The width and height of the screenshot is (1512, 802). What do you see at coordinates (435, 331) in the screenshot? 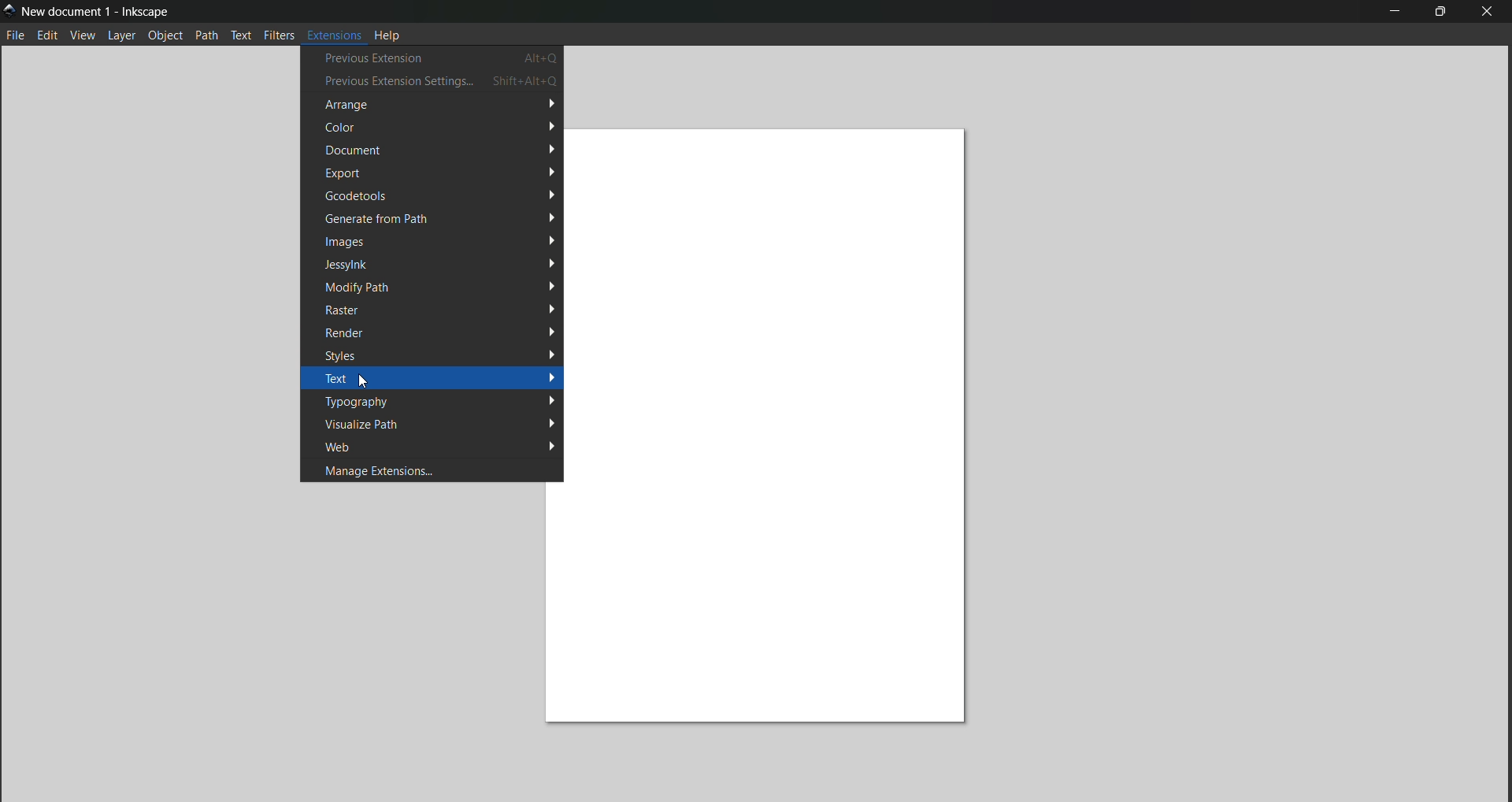
I see `render` at bounding box center [435, 331].